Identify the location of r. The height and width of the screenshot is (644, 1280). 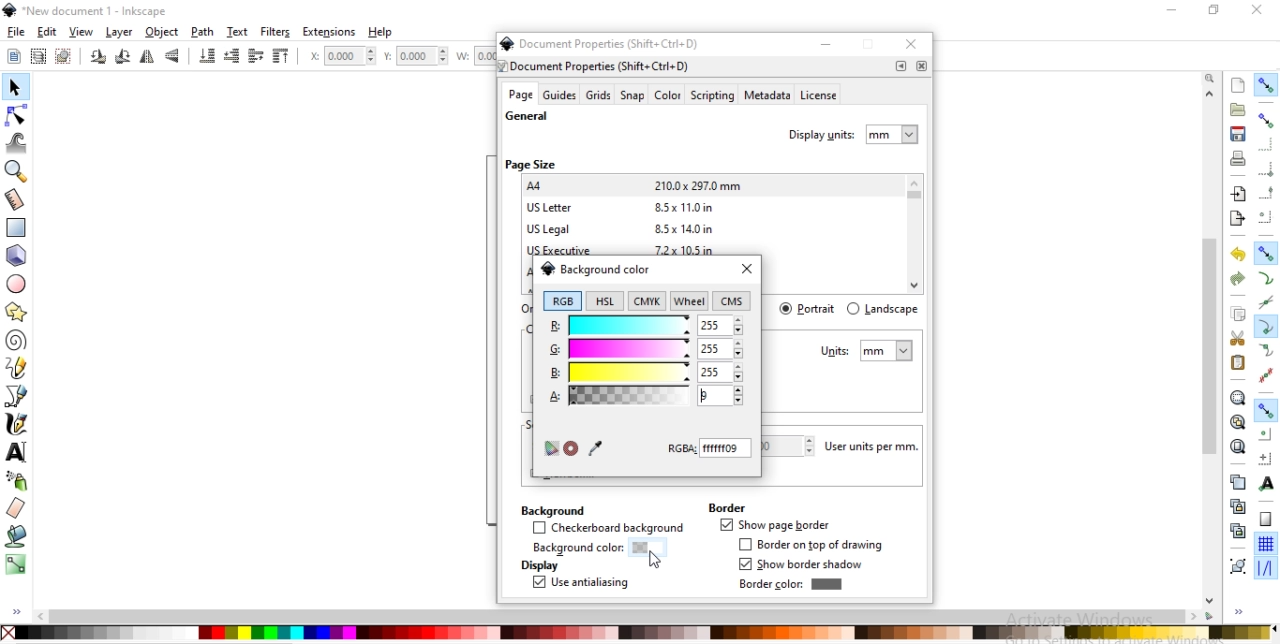
(645, 324).